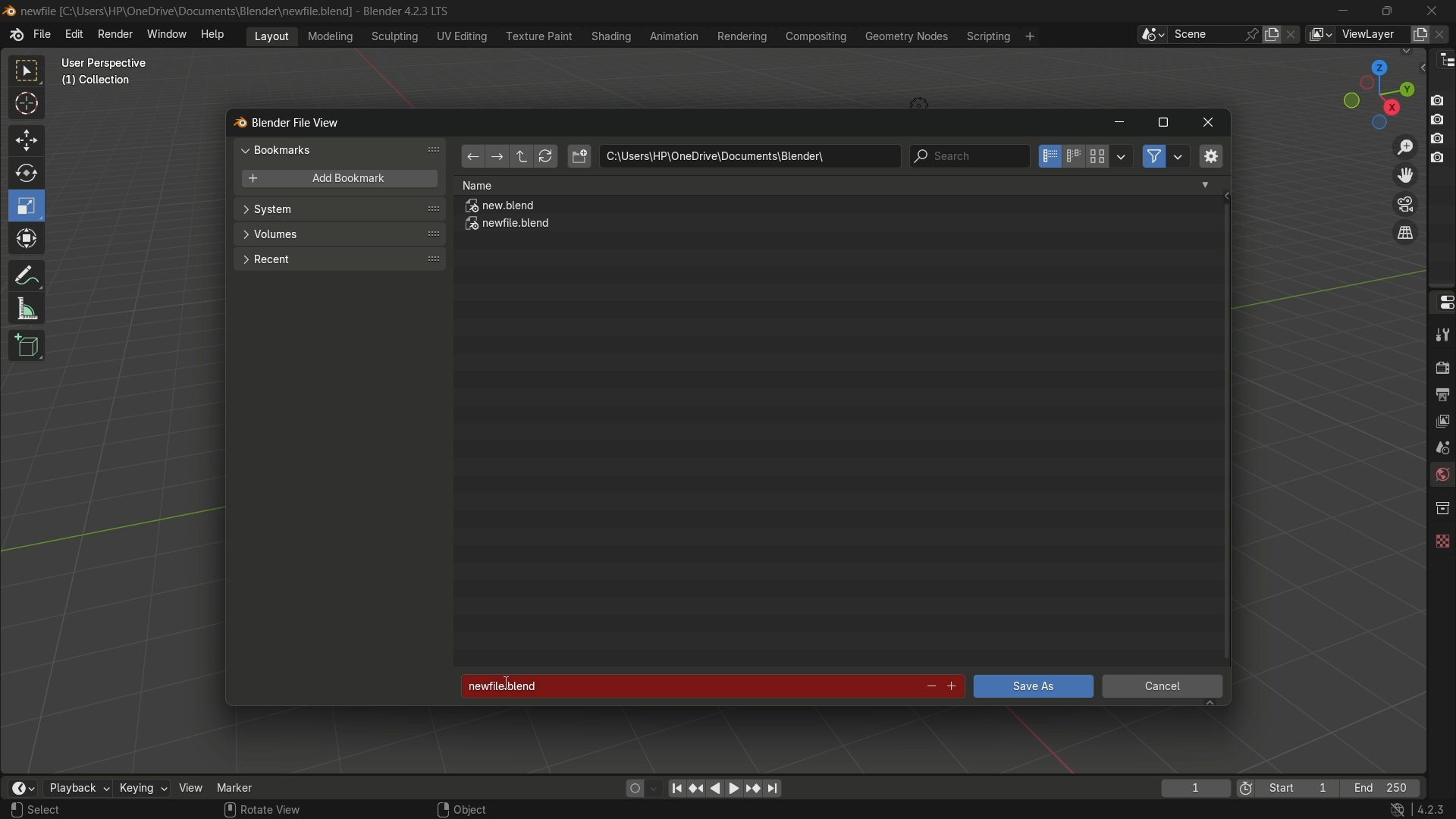 This screenshot has width=1456, height=819. I want to click on Name, so click(836, 185).